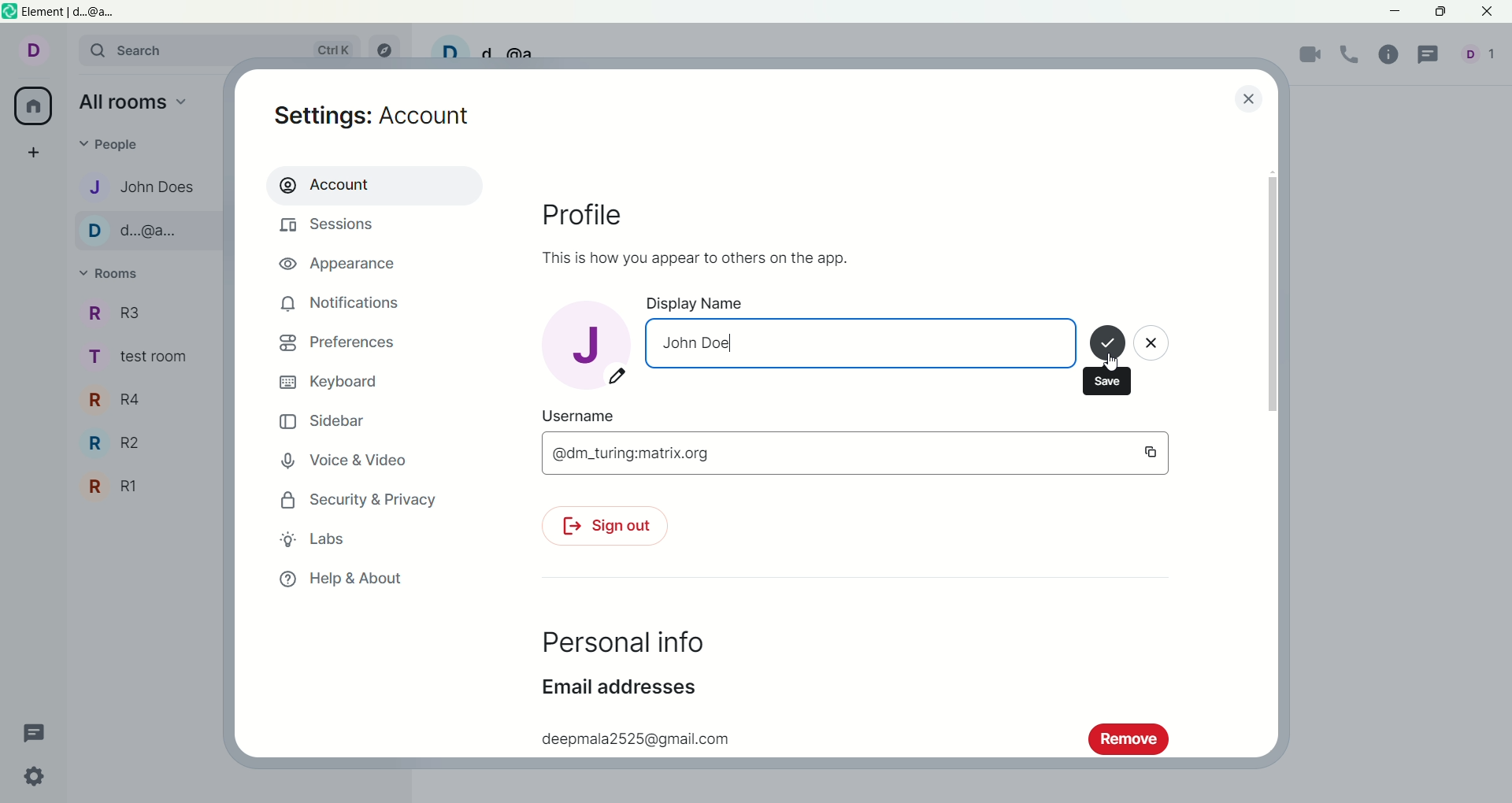 The height and width of the screenshot is (803, 1512). I want to click on R1, so click(115, 487).